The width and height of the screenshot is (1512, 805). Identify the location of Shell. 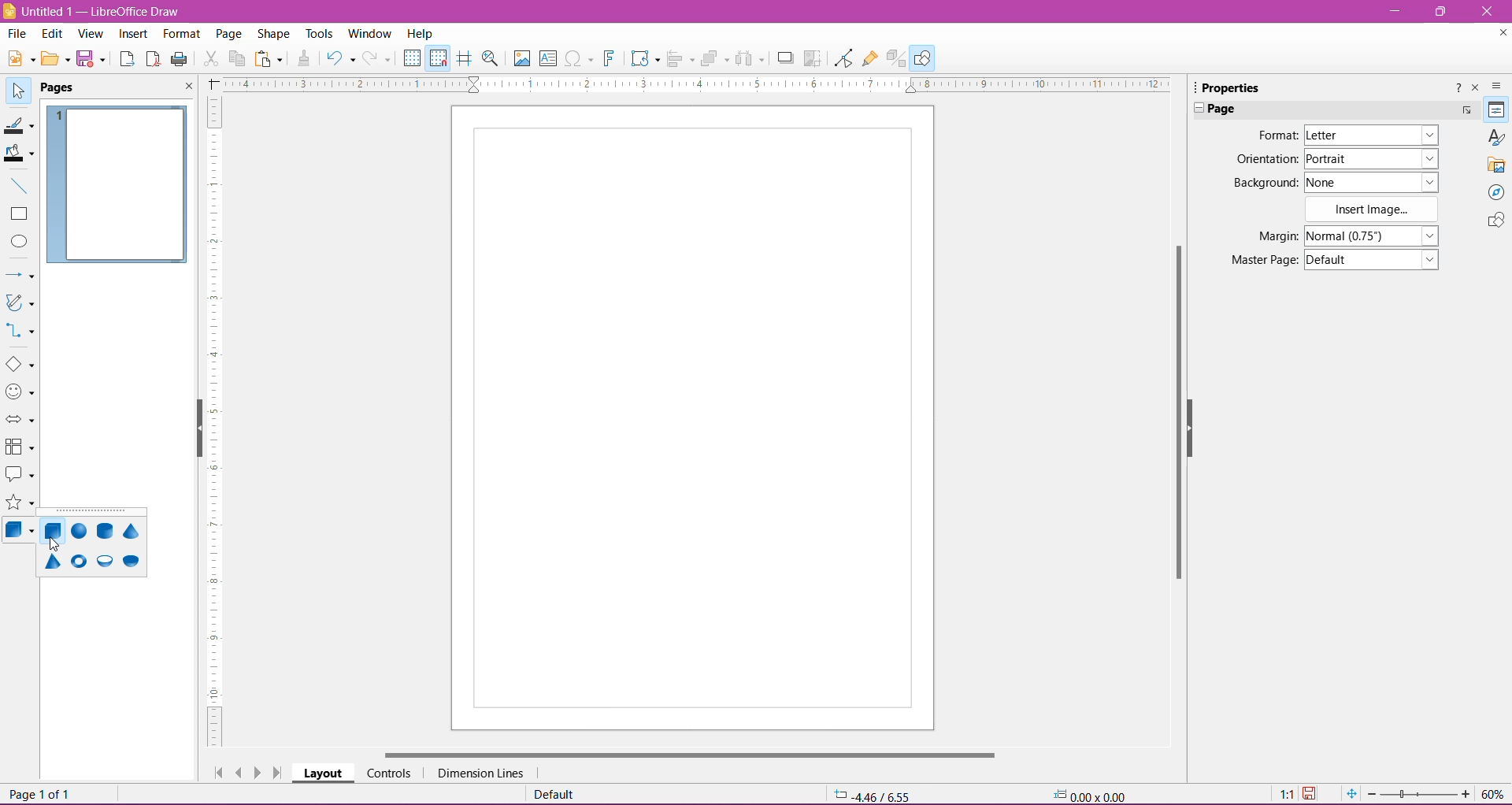
(105, 561).